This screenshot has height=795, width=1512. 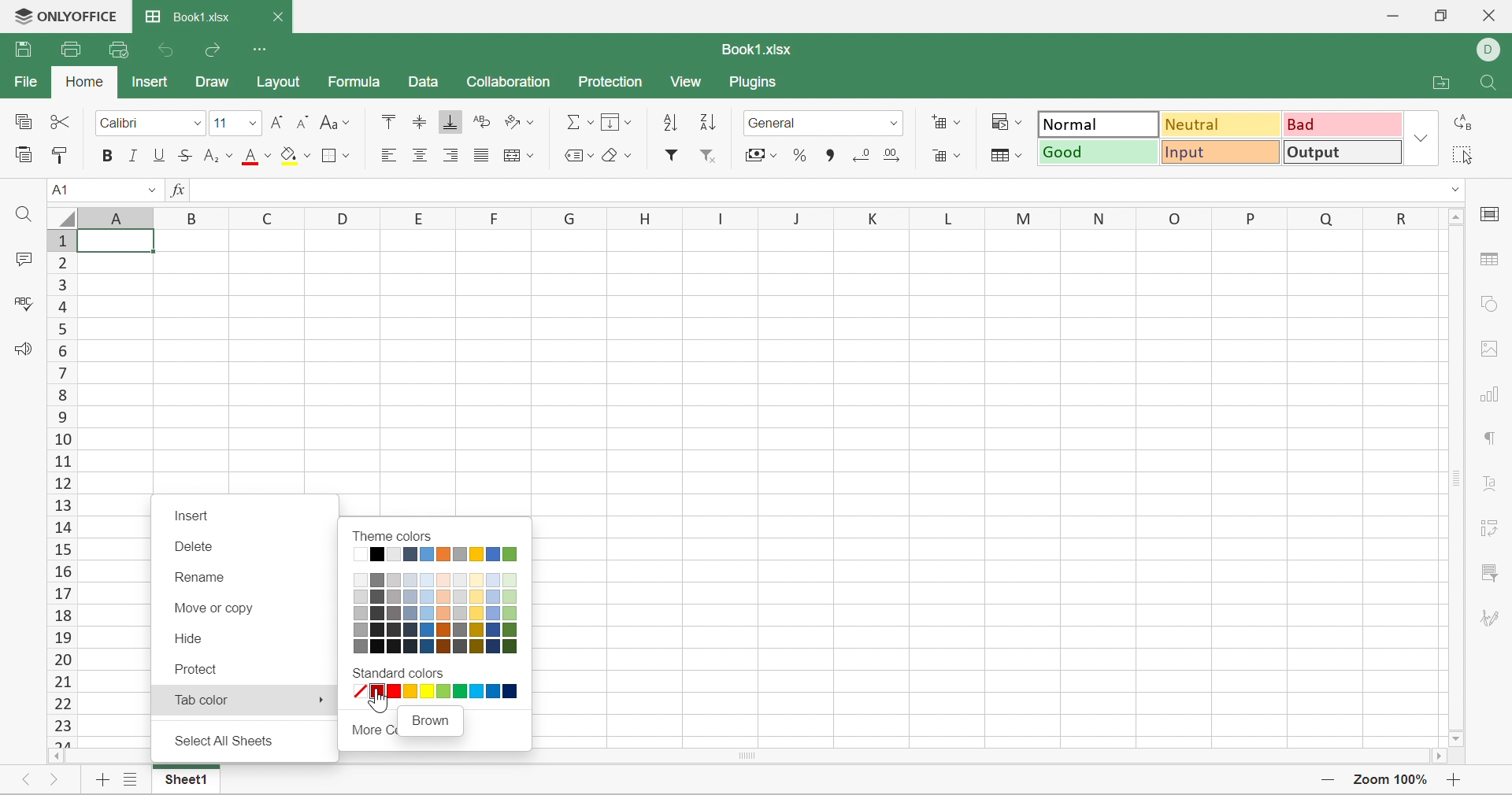 What do you see at coordinates (1491, 527) in the screenshot?
I see `Pivot table` at bounding box center [1491, 527].